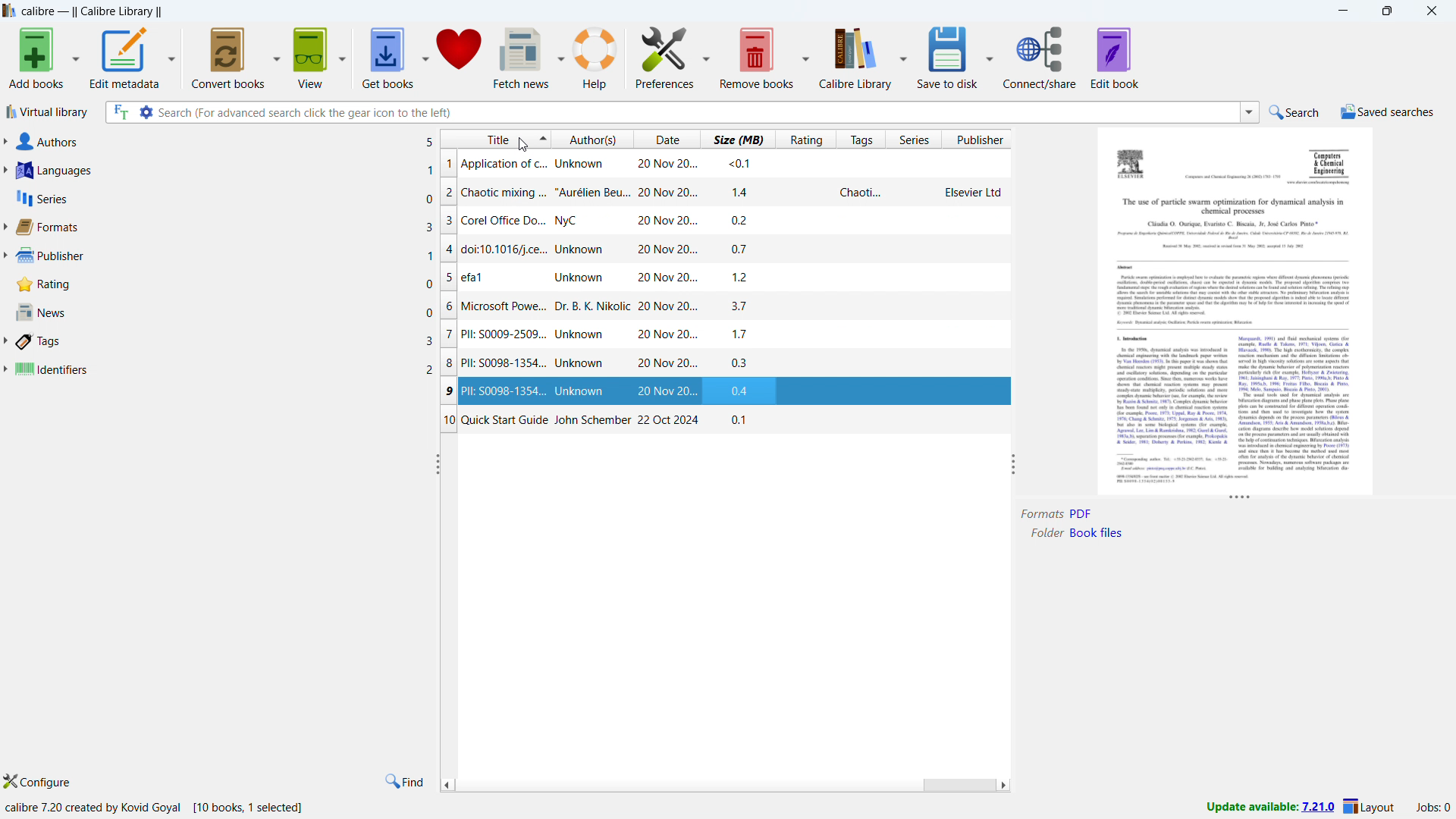  I want to click on list of jobs, so click(1432, 808).